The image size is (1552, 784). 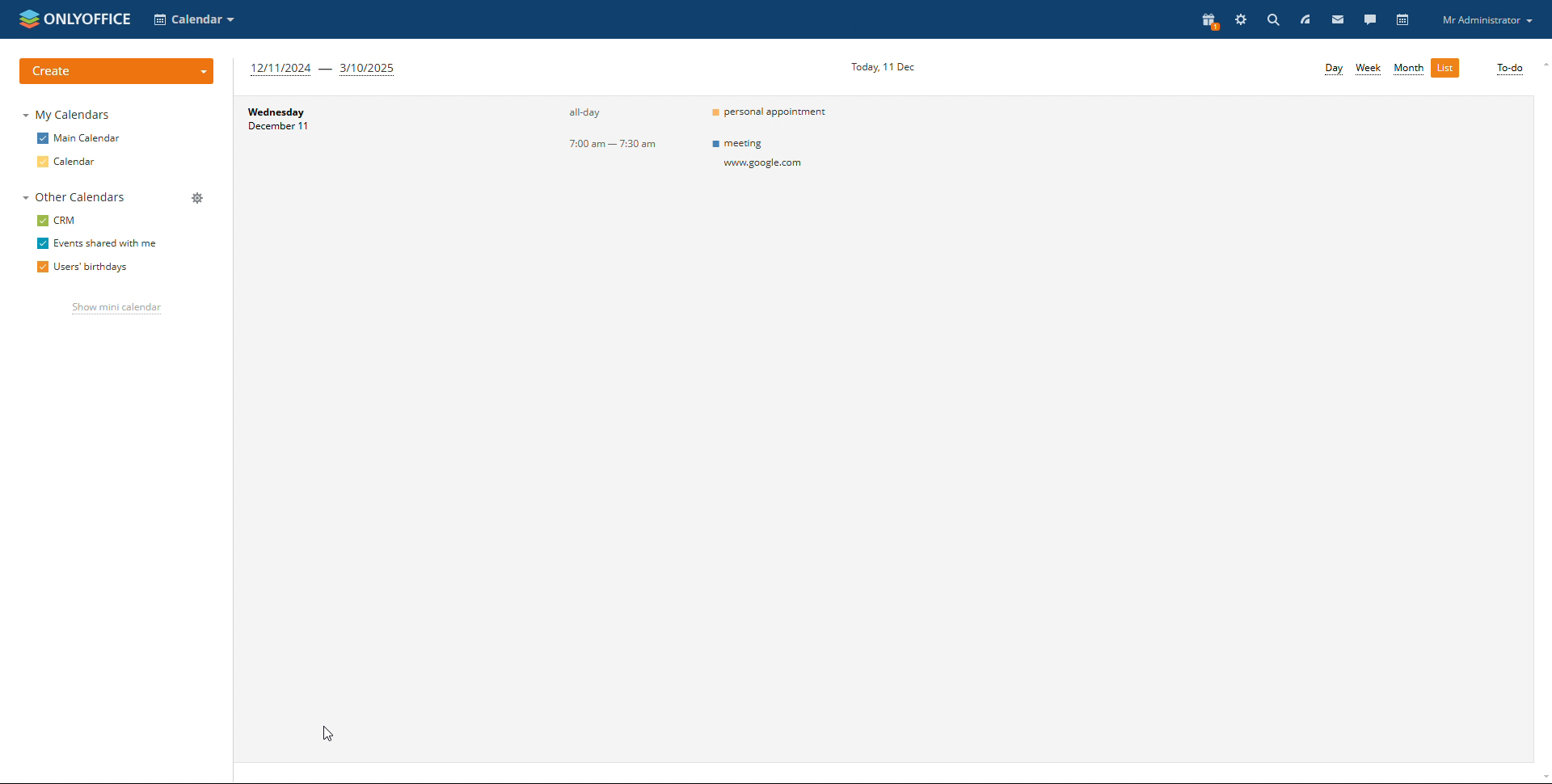 I want to click on present, so click(x=1208, y=22).